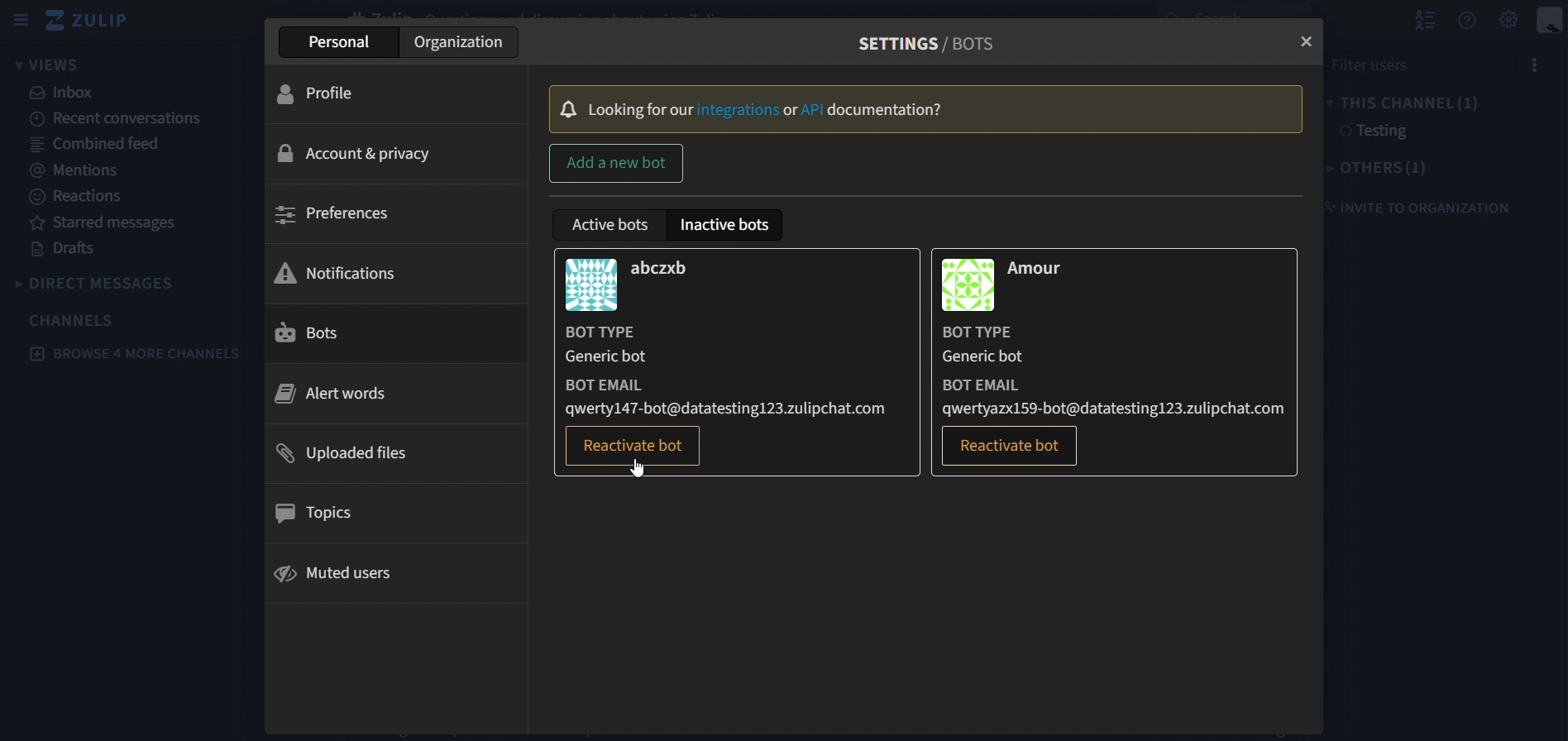  What do you see at coordinates (631, 447) in the screenshot?
I see `reactivate bot` at bounding box center [631, 447].